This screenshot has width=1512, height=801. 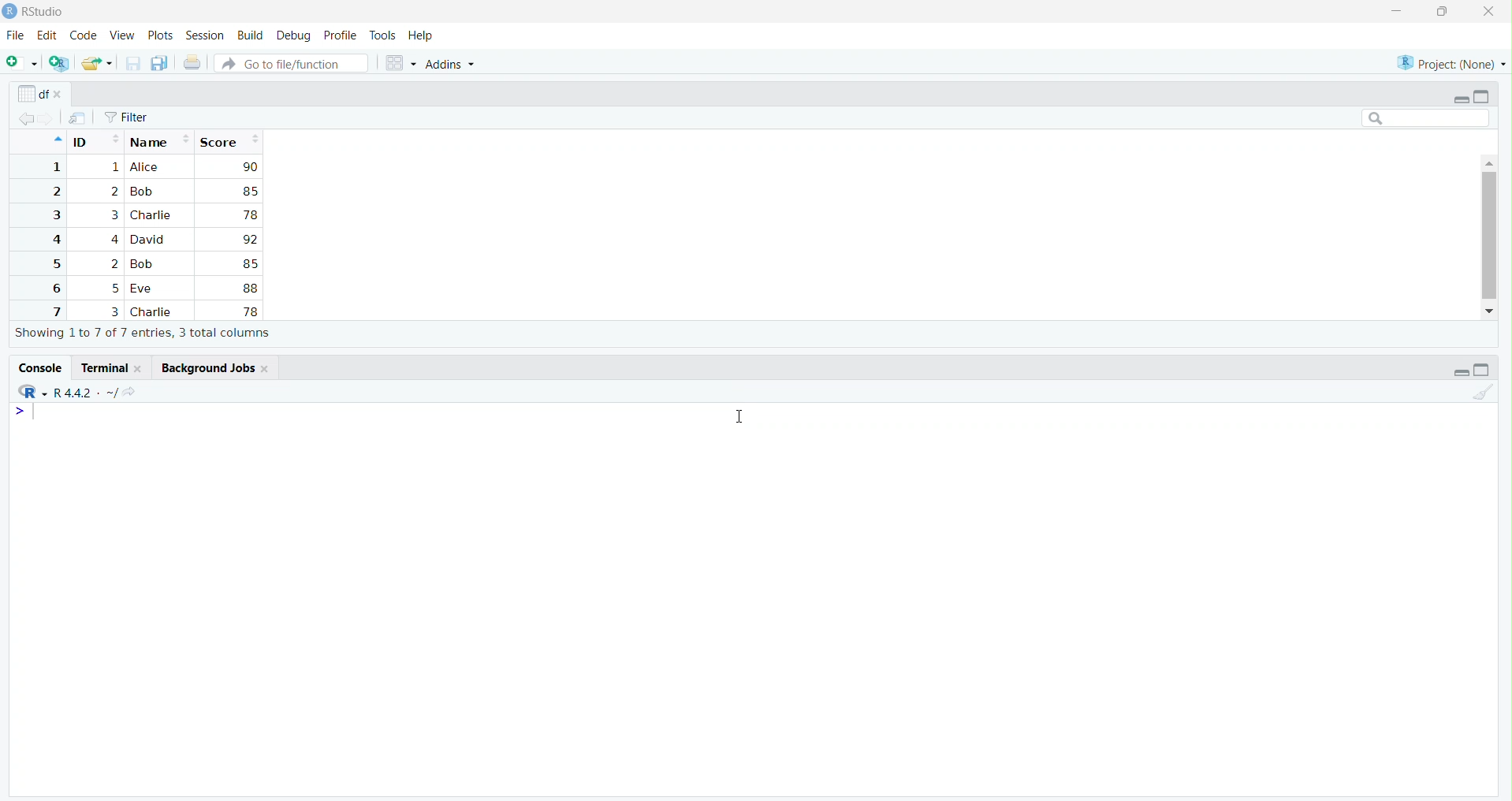 I want to click on close, so click(x=141, y=368).